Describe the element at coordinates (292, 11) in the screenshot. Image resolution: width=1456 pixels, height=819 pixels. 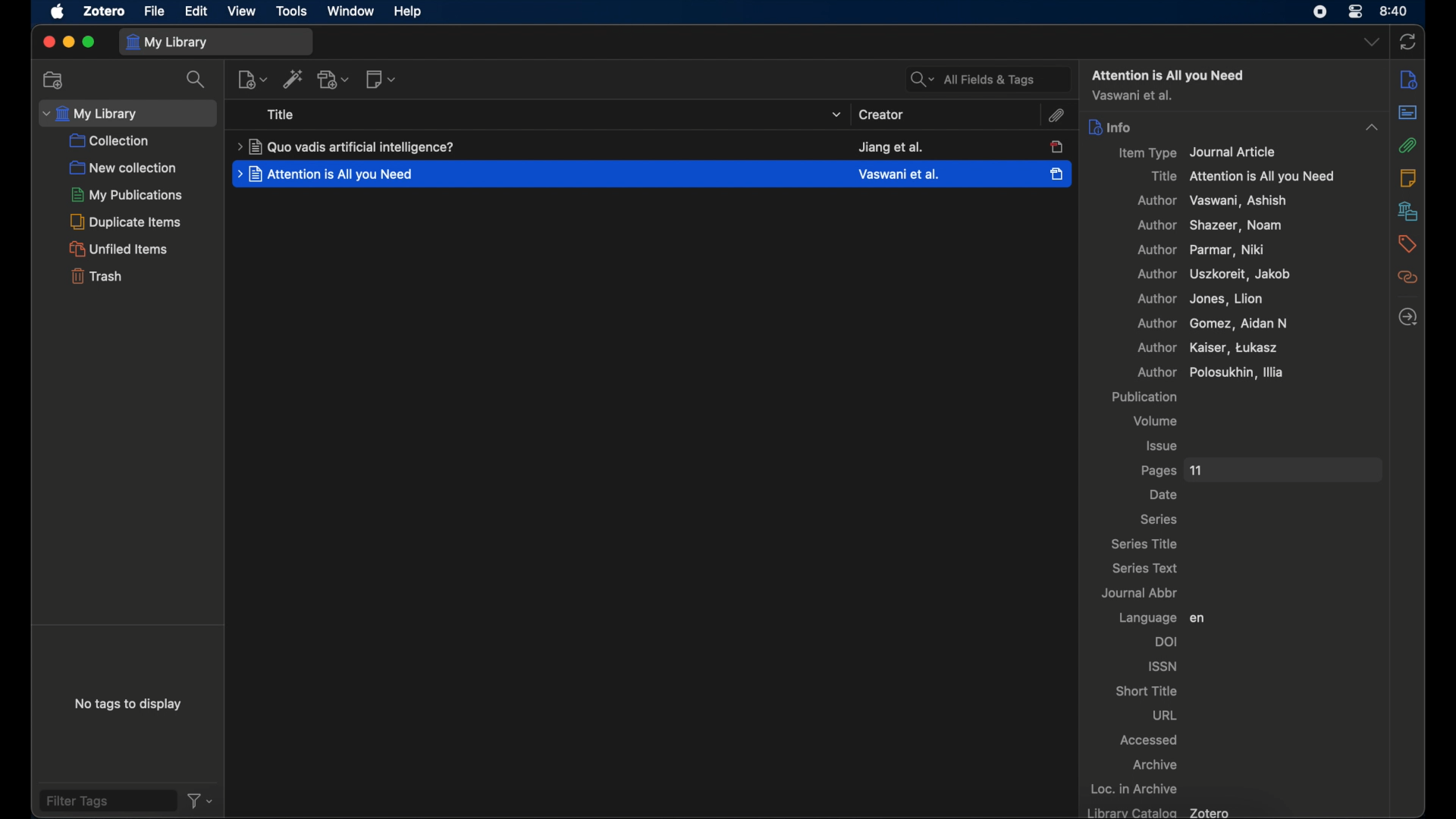
I see `tools` at that location.